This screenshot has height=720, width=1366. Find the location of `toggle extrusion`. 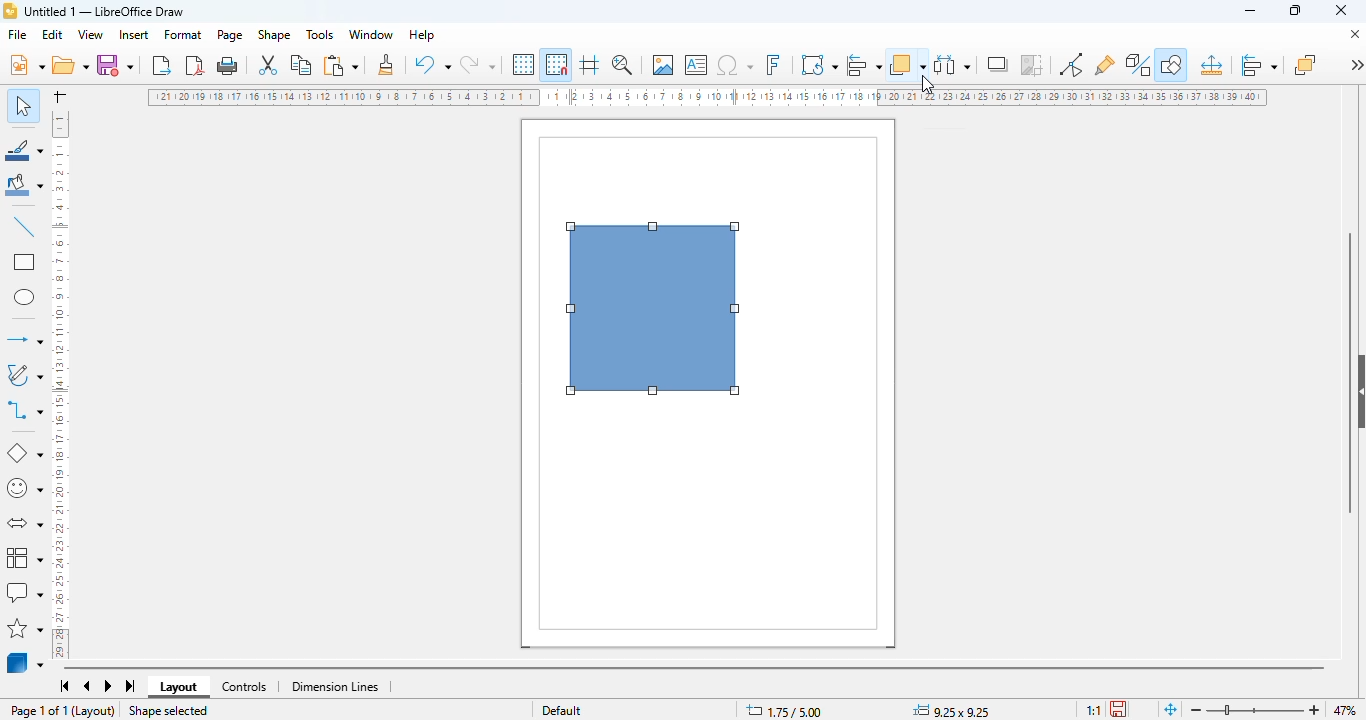

toggle extrusion is located at coordinates (1139, 65).